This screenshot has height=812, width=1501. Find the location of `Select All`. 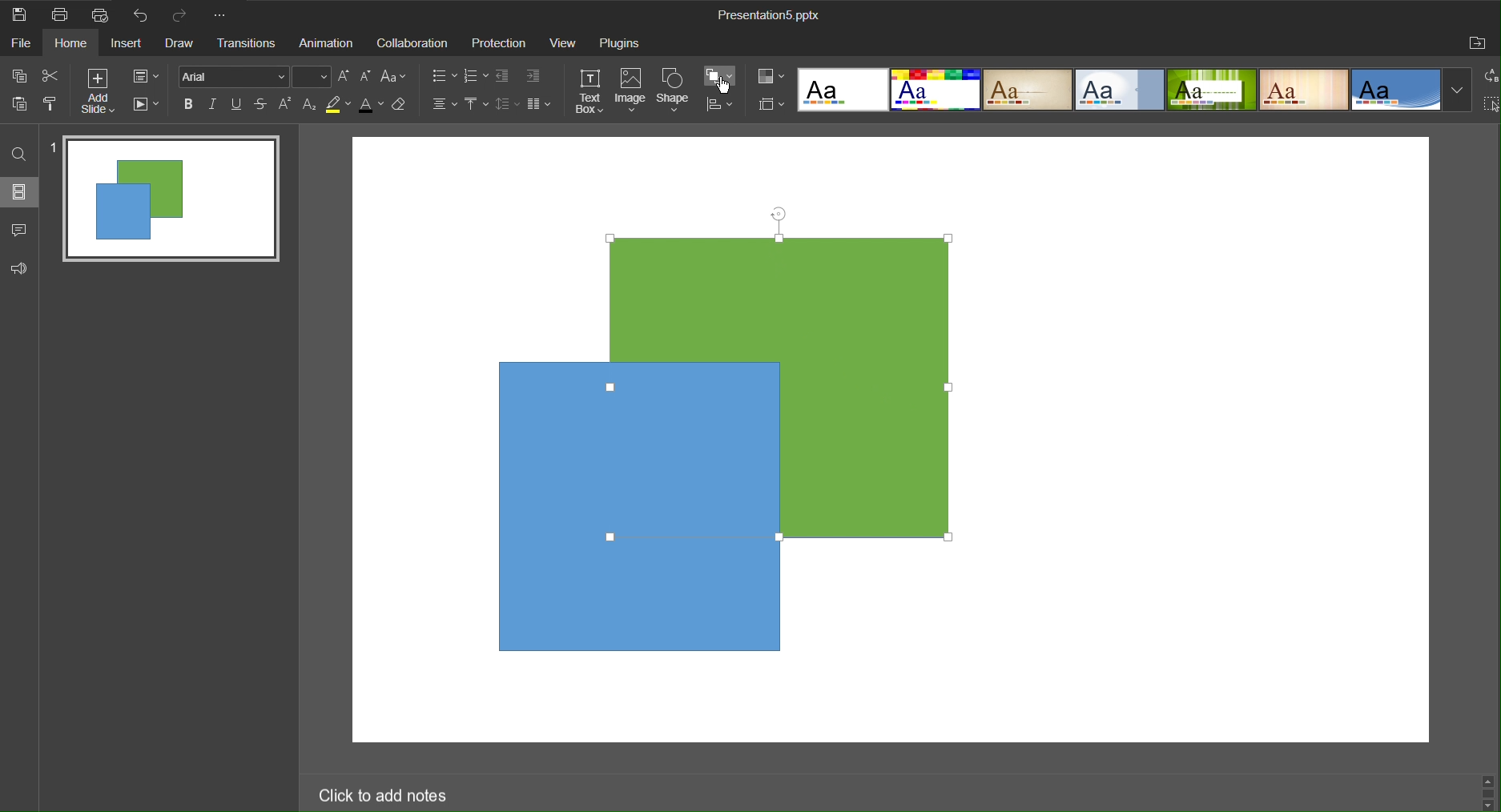

Select All is located at coordinates (1491, 107).